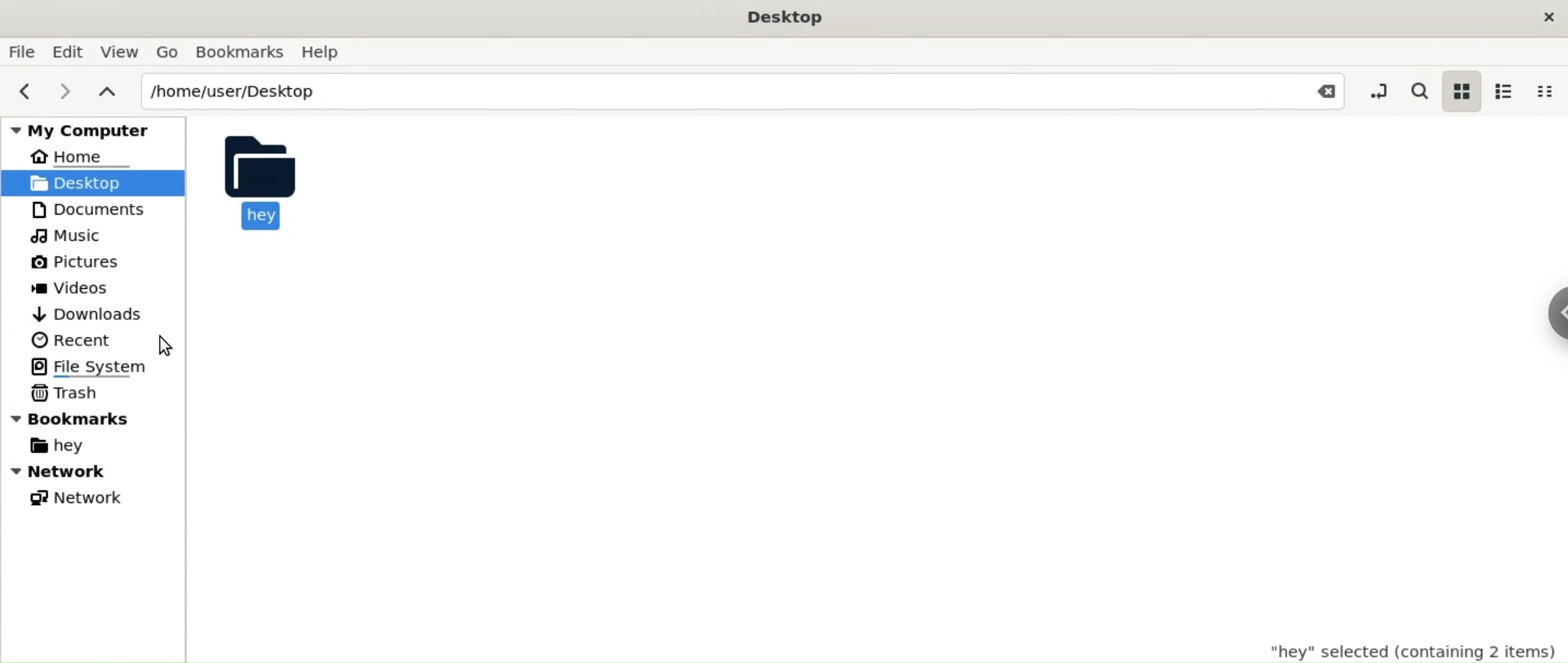 This screenshot has width=1568, height=663. Describe the element at coordinates (106, 90) in the screenshot. I see `parent folders` at that location.